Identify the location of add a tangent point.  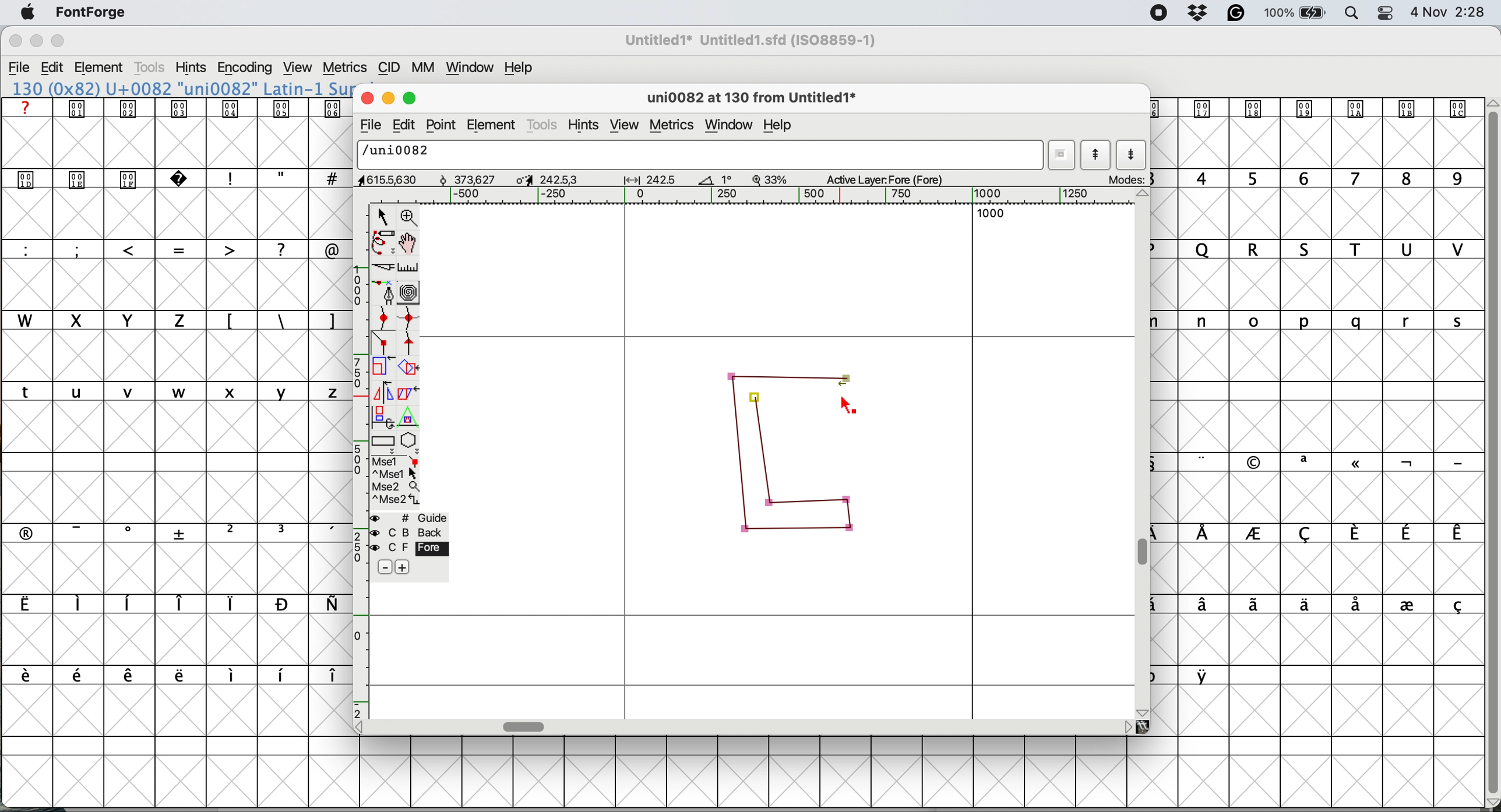
(410, 343).